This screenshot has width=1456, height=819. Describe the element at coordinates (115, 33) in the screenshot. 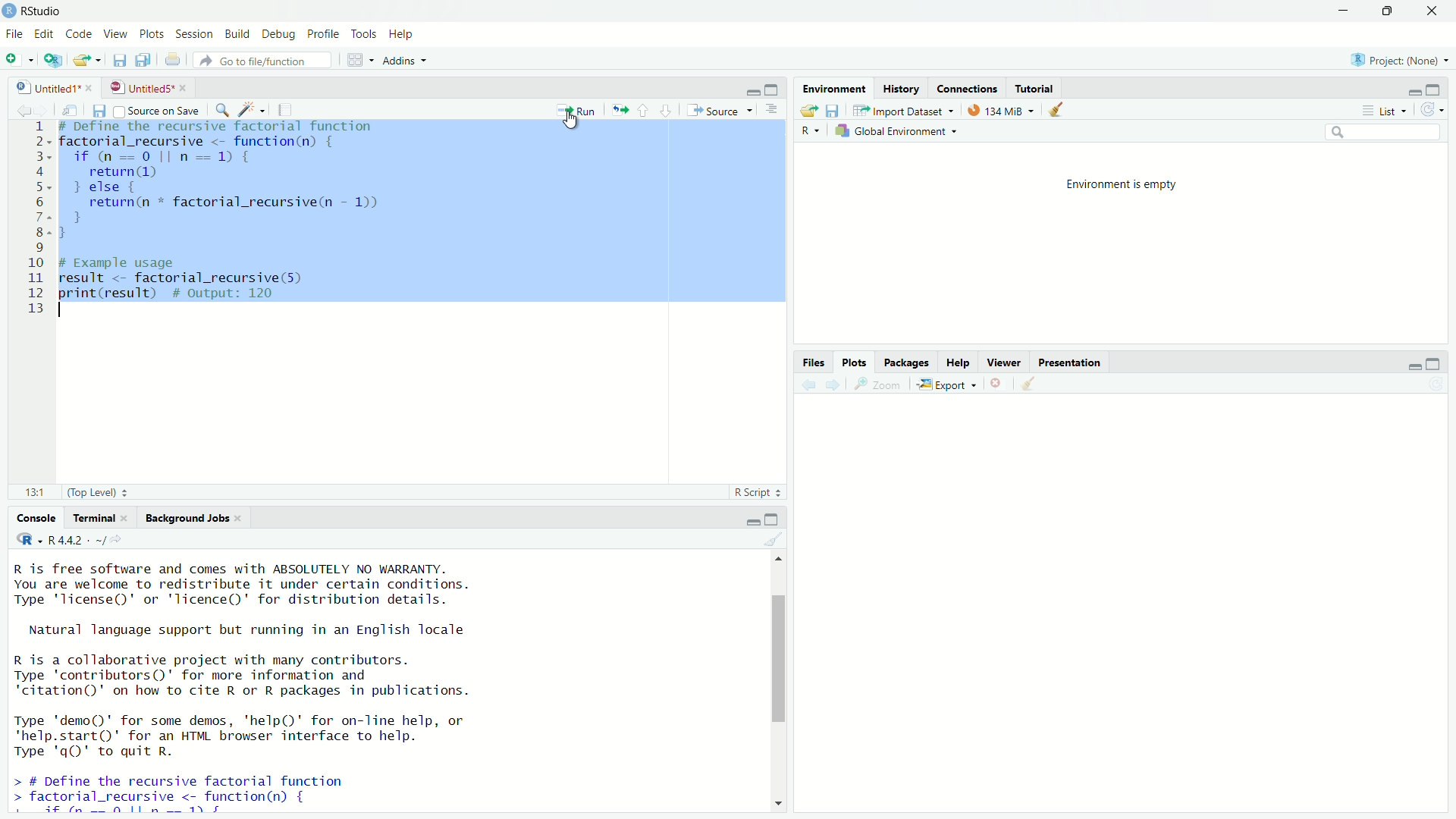

I see `View` at that location.